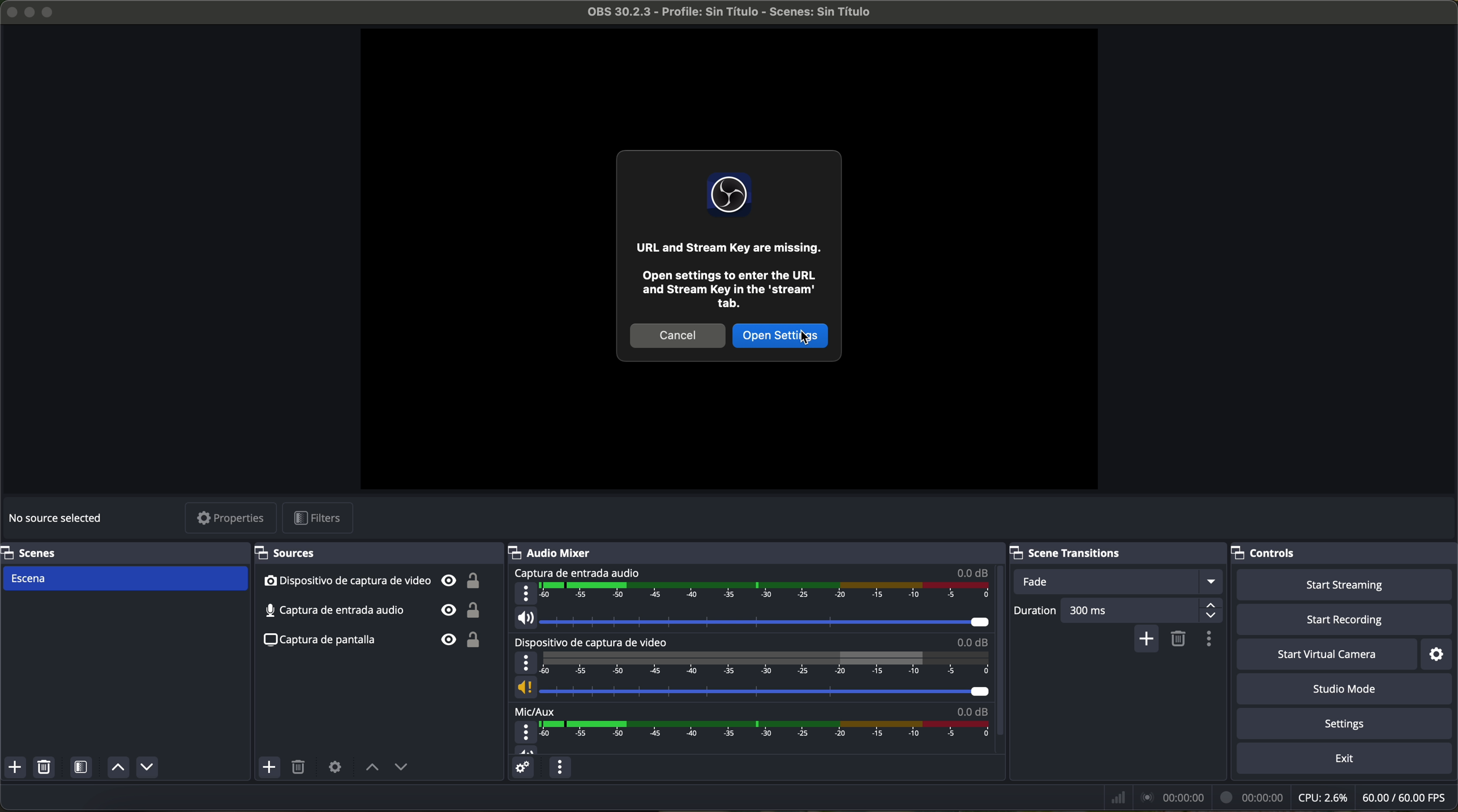 The height and width of the screenshot is (812, 1458). What do you see at coordinates (374, 553) in the screenshot?
I see `sources` at bounding box center [374, 553].